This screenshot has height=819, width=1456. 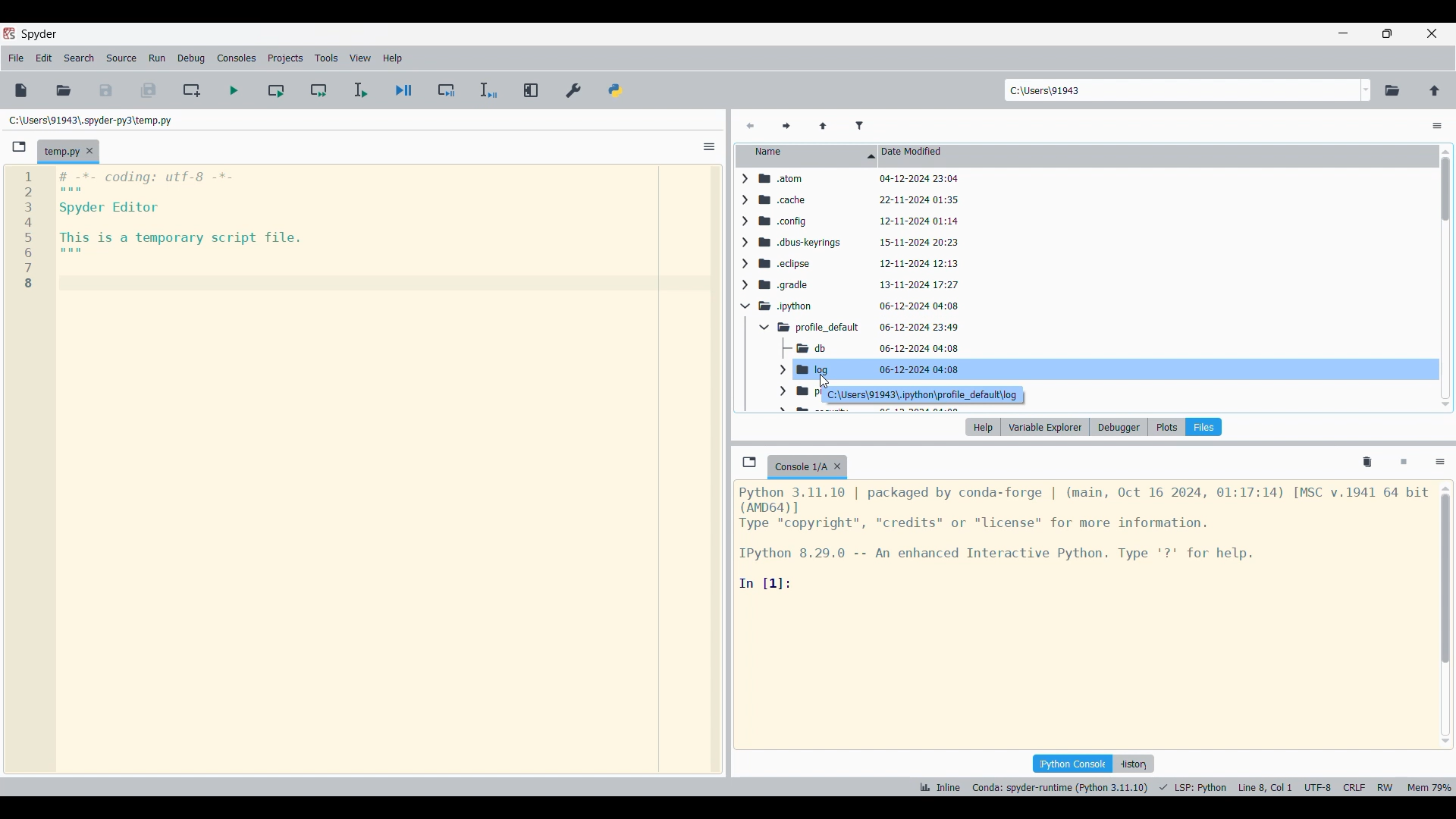 What do you see at coordinates (983, 427) in the screenshot?
I see `Help` at bounding box center [983, 427].